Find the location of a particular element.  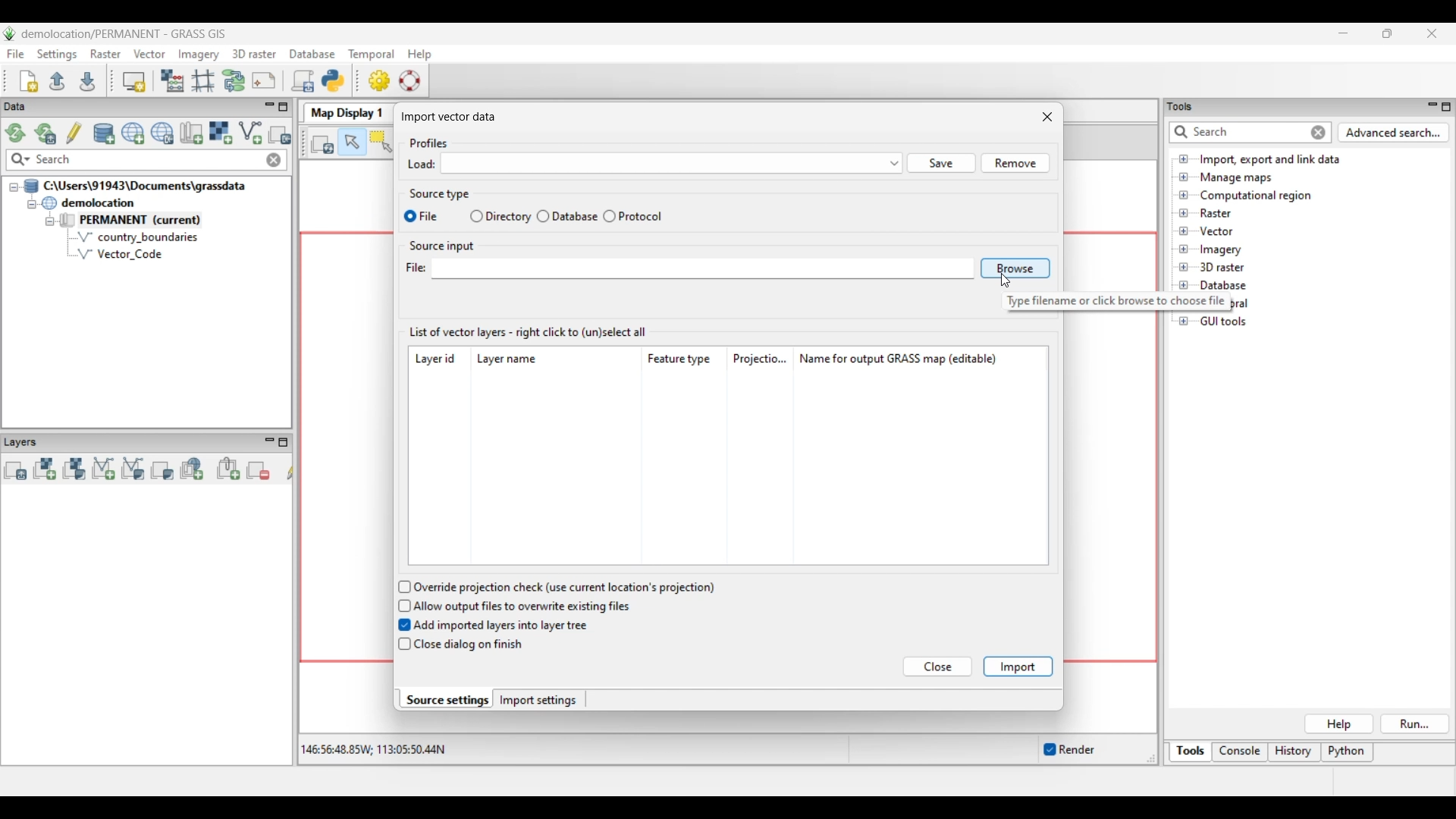

checkbox is located at coordinates (403, 645).